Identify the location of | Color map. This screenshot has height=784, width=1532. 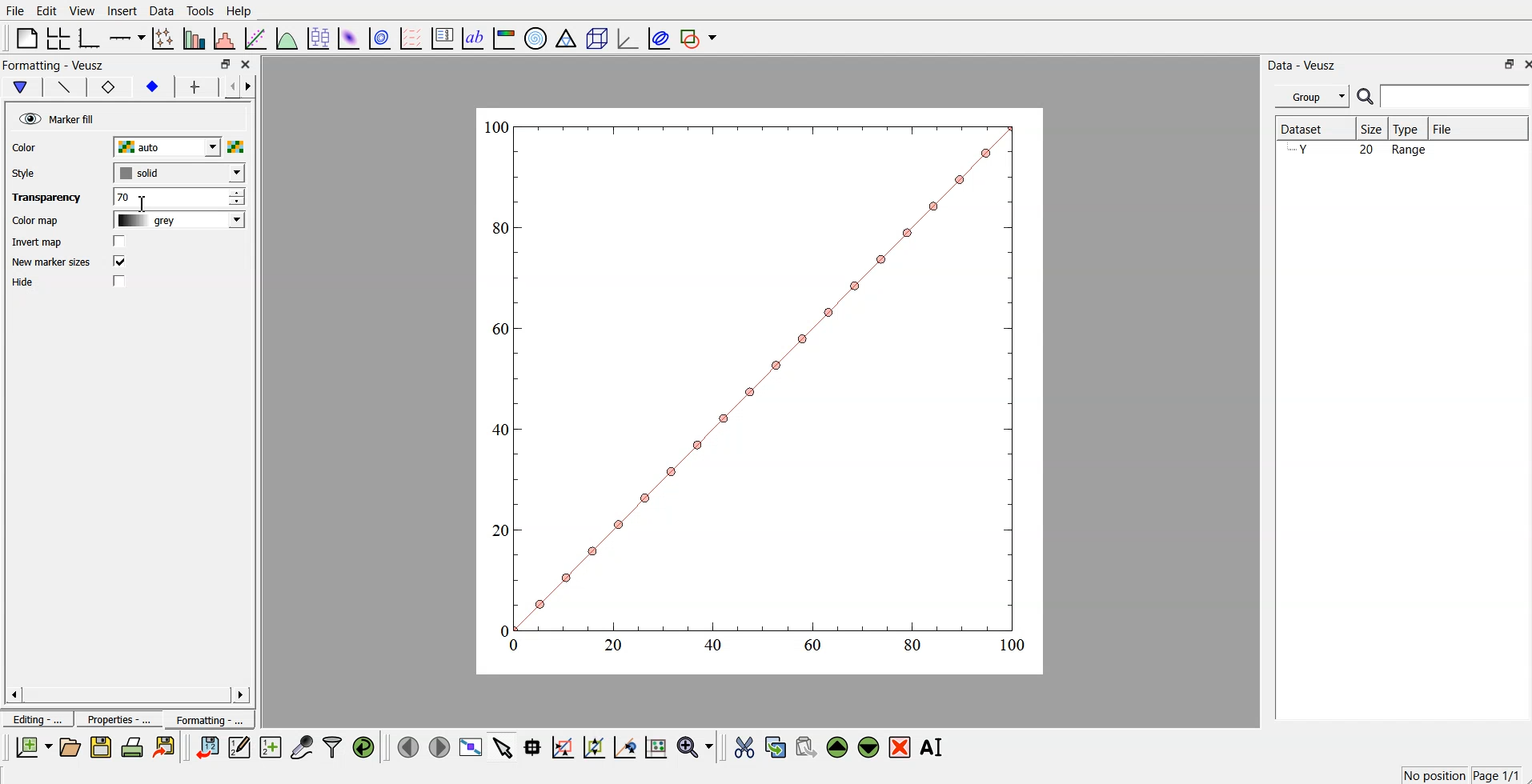
(34, 222).